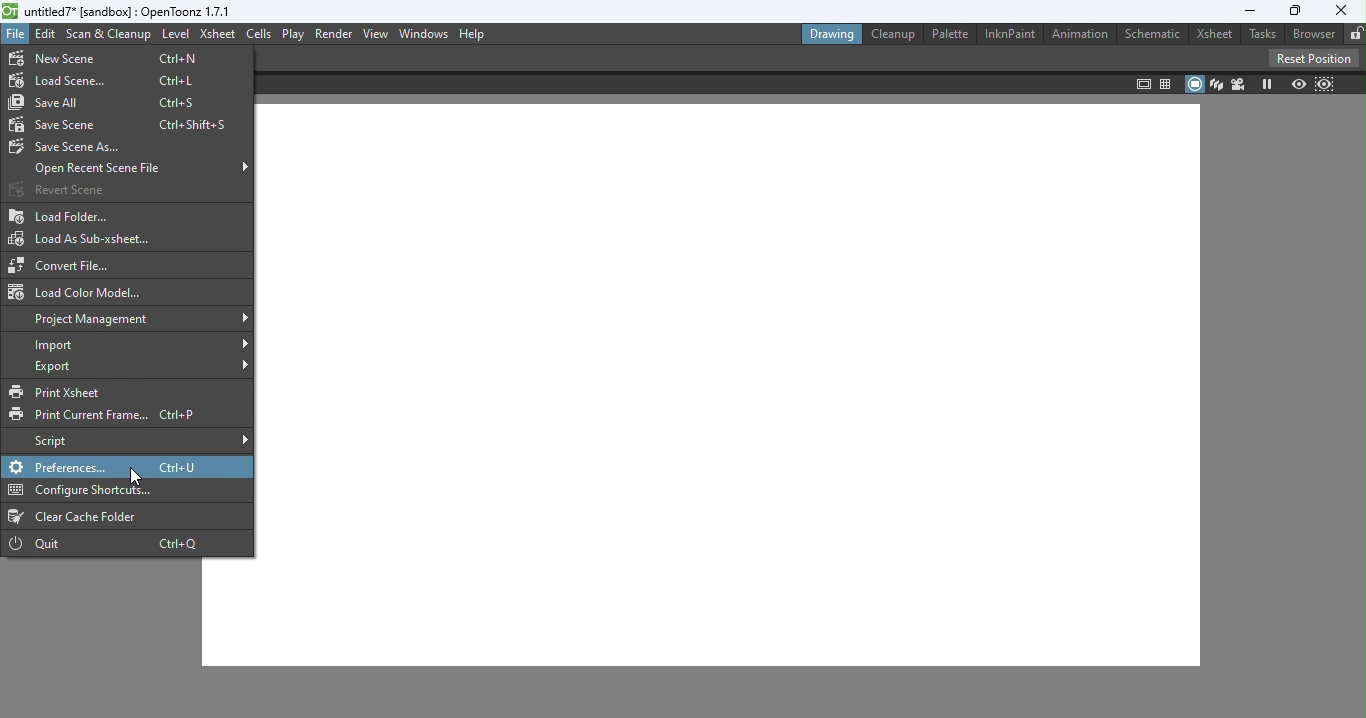 This screenshot has height=718, width=1366. What do you see at coordinates (1266, 85) in the screenshot?
I see `Freeze` at bounding box center [1266, 85].